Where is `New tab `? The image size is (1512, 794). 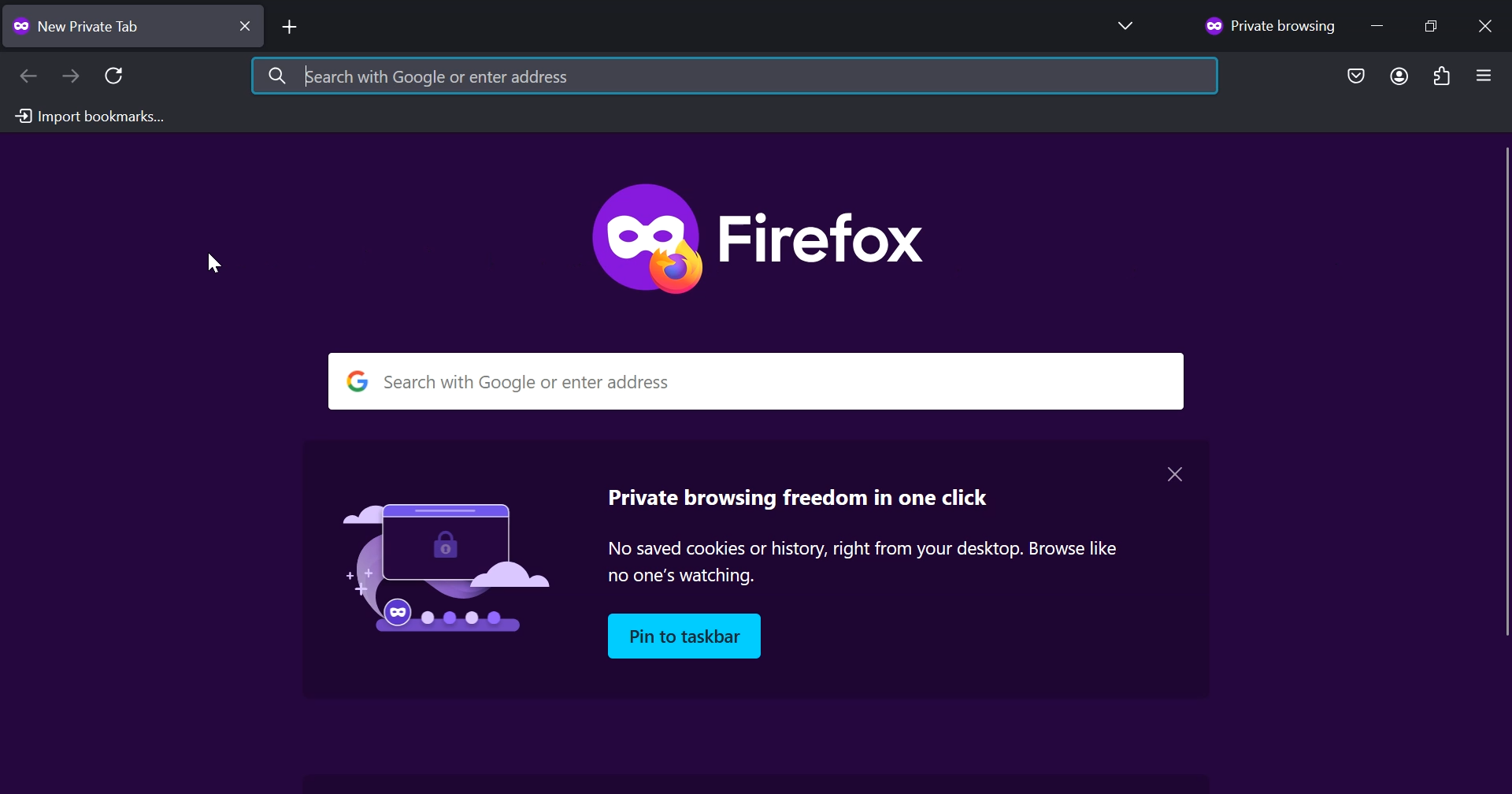 New tab  is located at coordinates (109, 27).